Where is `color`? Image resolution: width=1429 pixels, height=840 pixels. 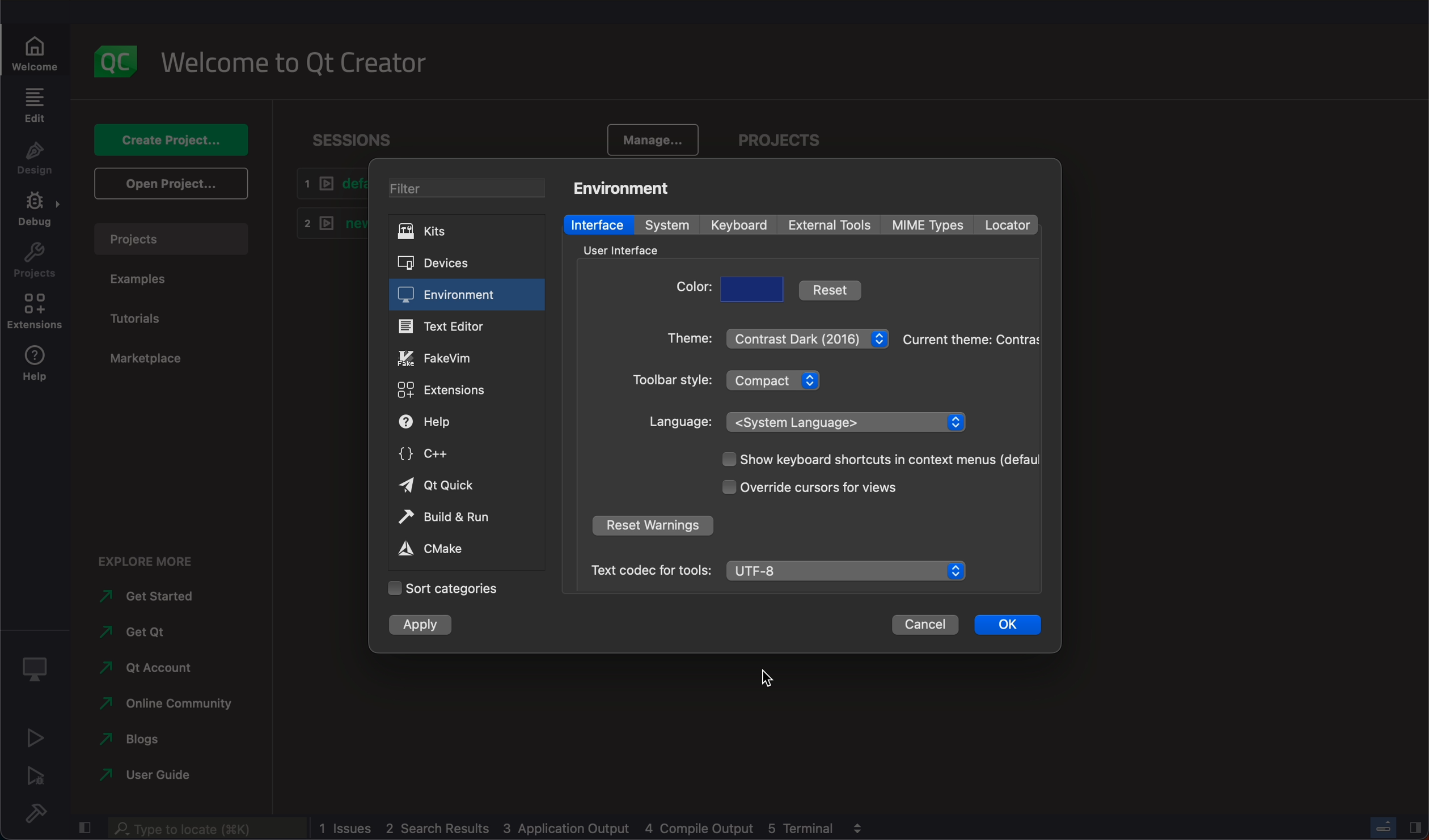 color is located at coordinates (692, 290).